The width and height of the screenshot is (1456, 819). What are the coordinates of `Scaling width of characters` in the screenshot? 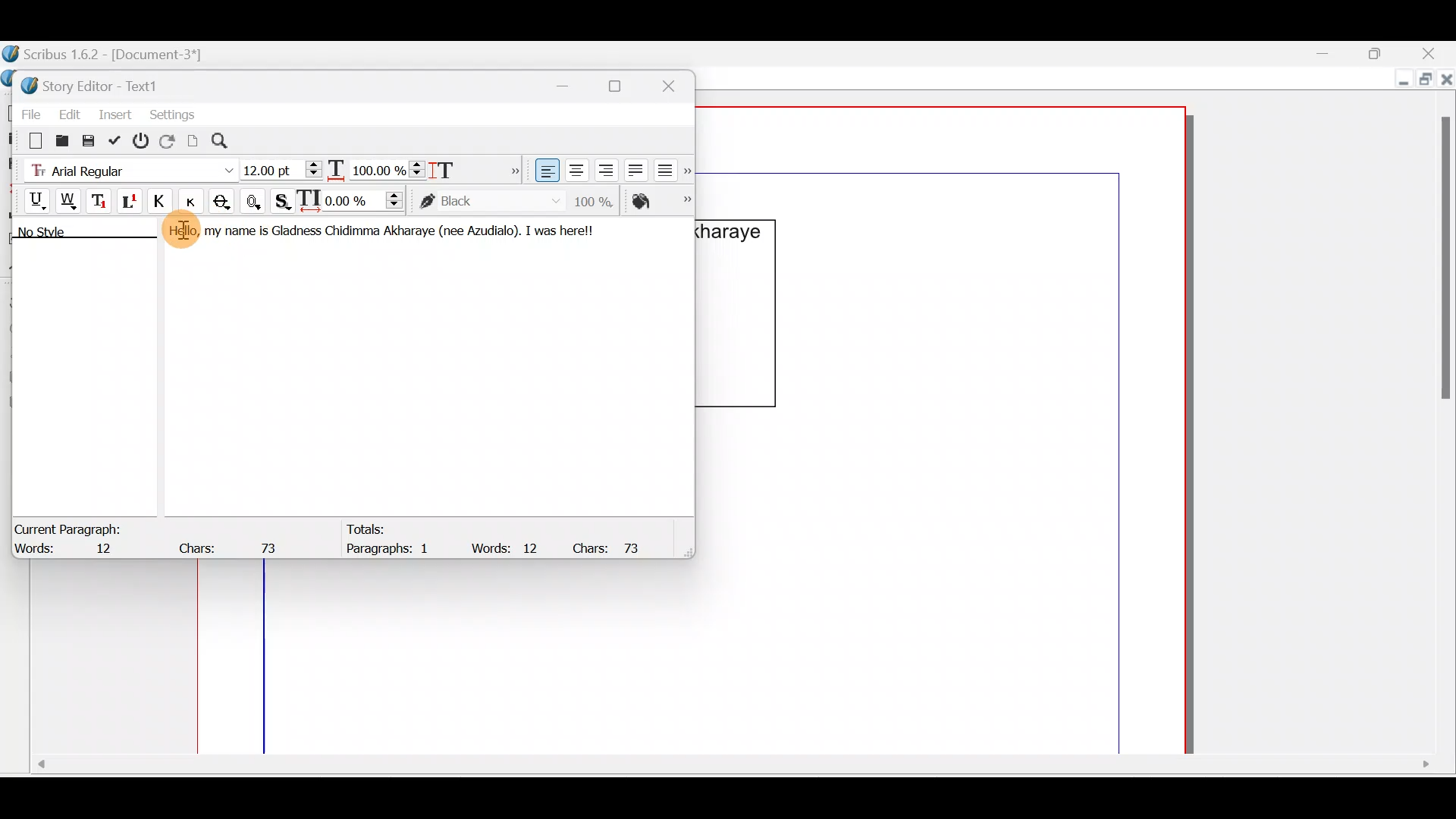 It's located at (376, 167).